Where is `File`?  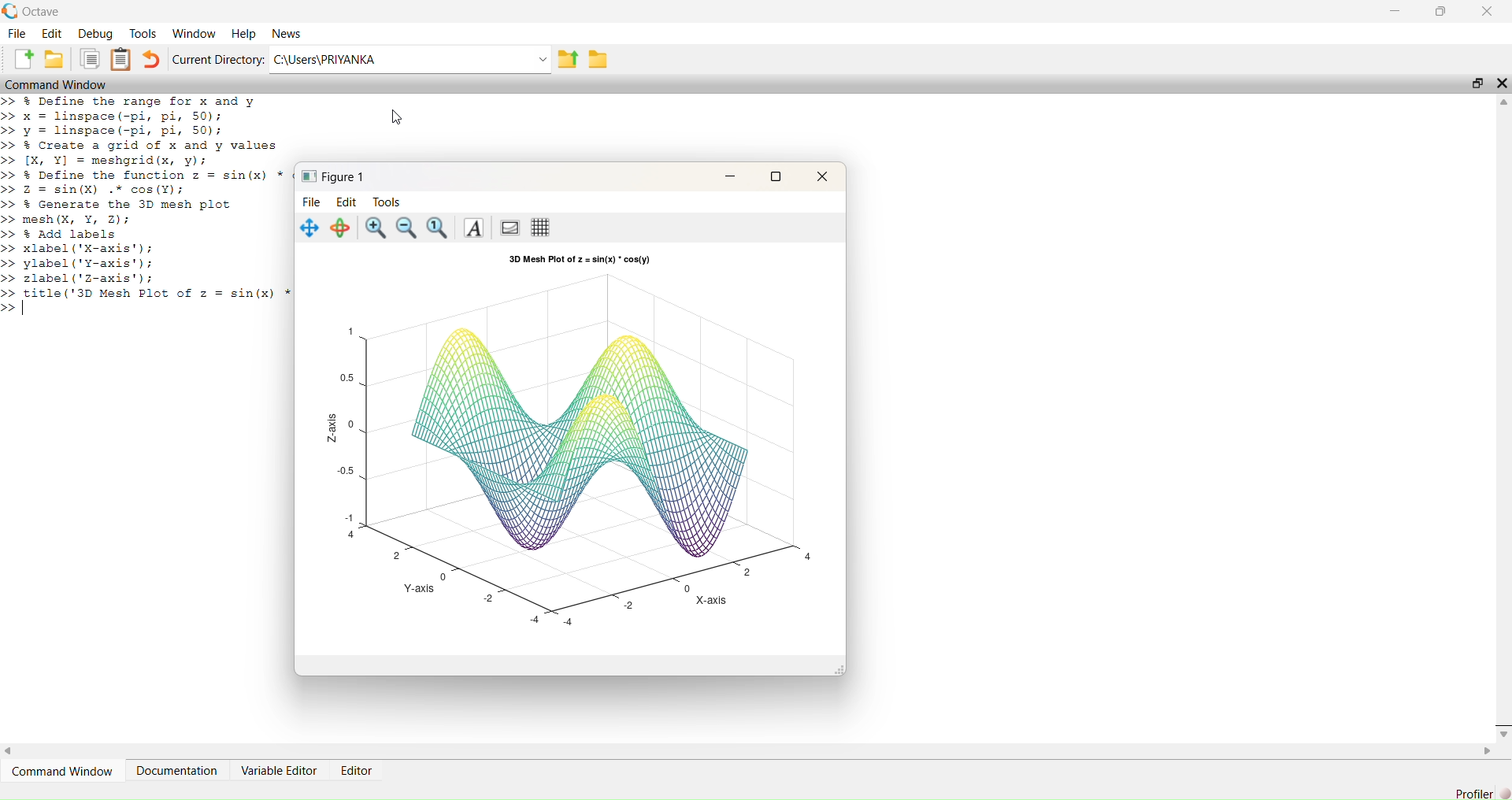 File is located at coordinates (18, 34).